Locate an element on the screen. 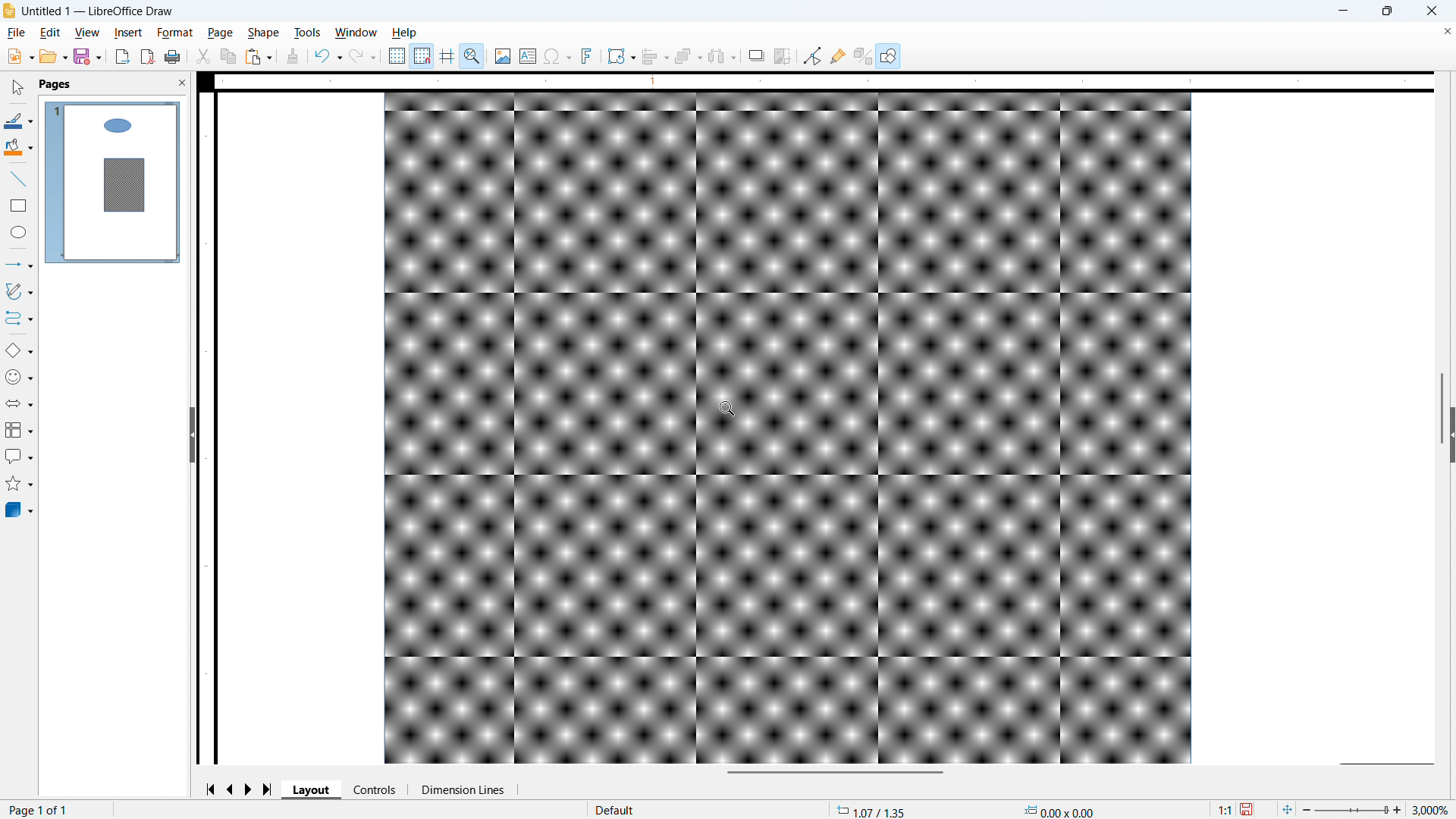 The width and height of the screenshot is (1456, 819). Select at least three objects to distribute  is located at coordinates (723, 56).